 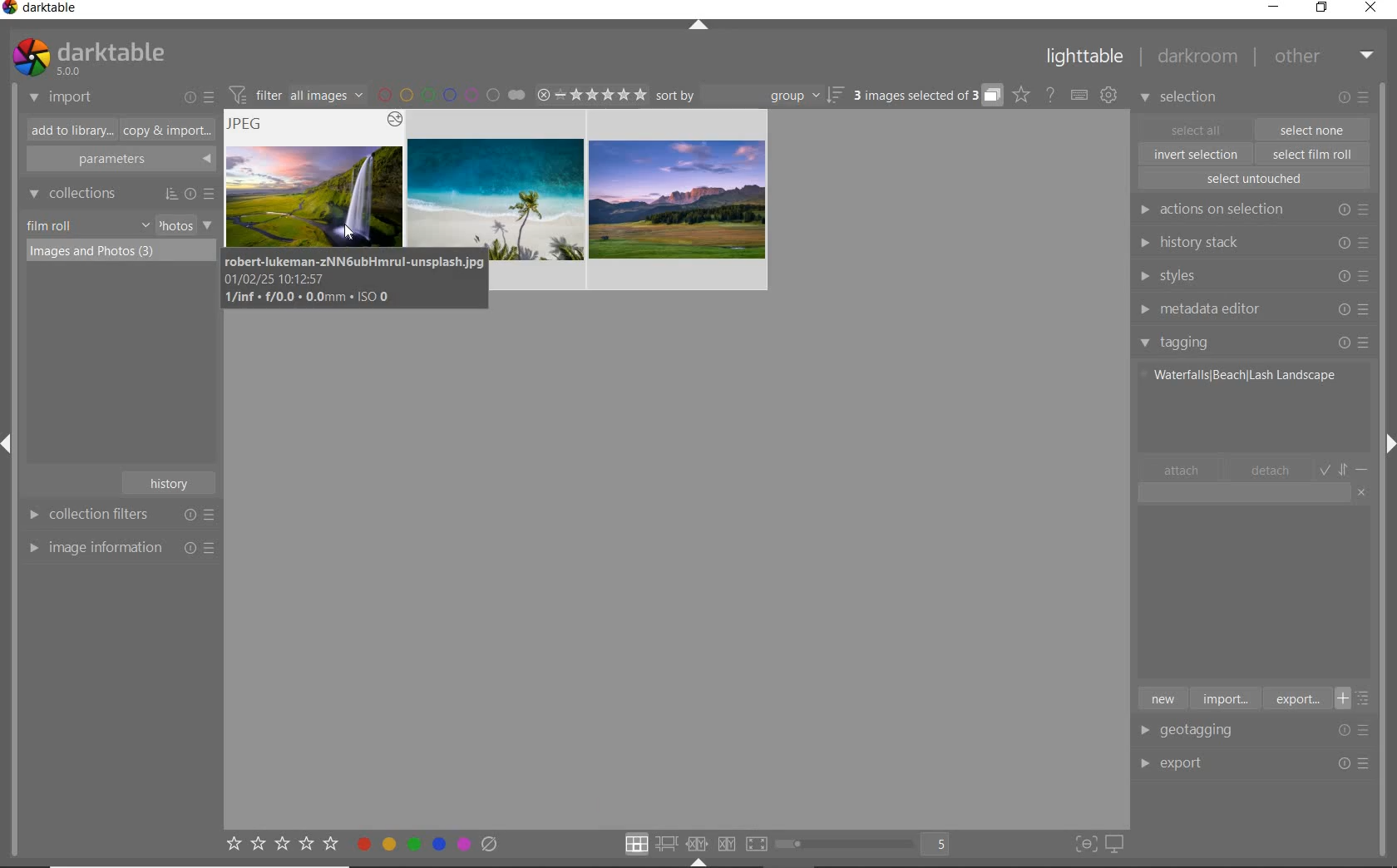 I want to click on toggle, so click(x=1345, y=468).